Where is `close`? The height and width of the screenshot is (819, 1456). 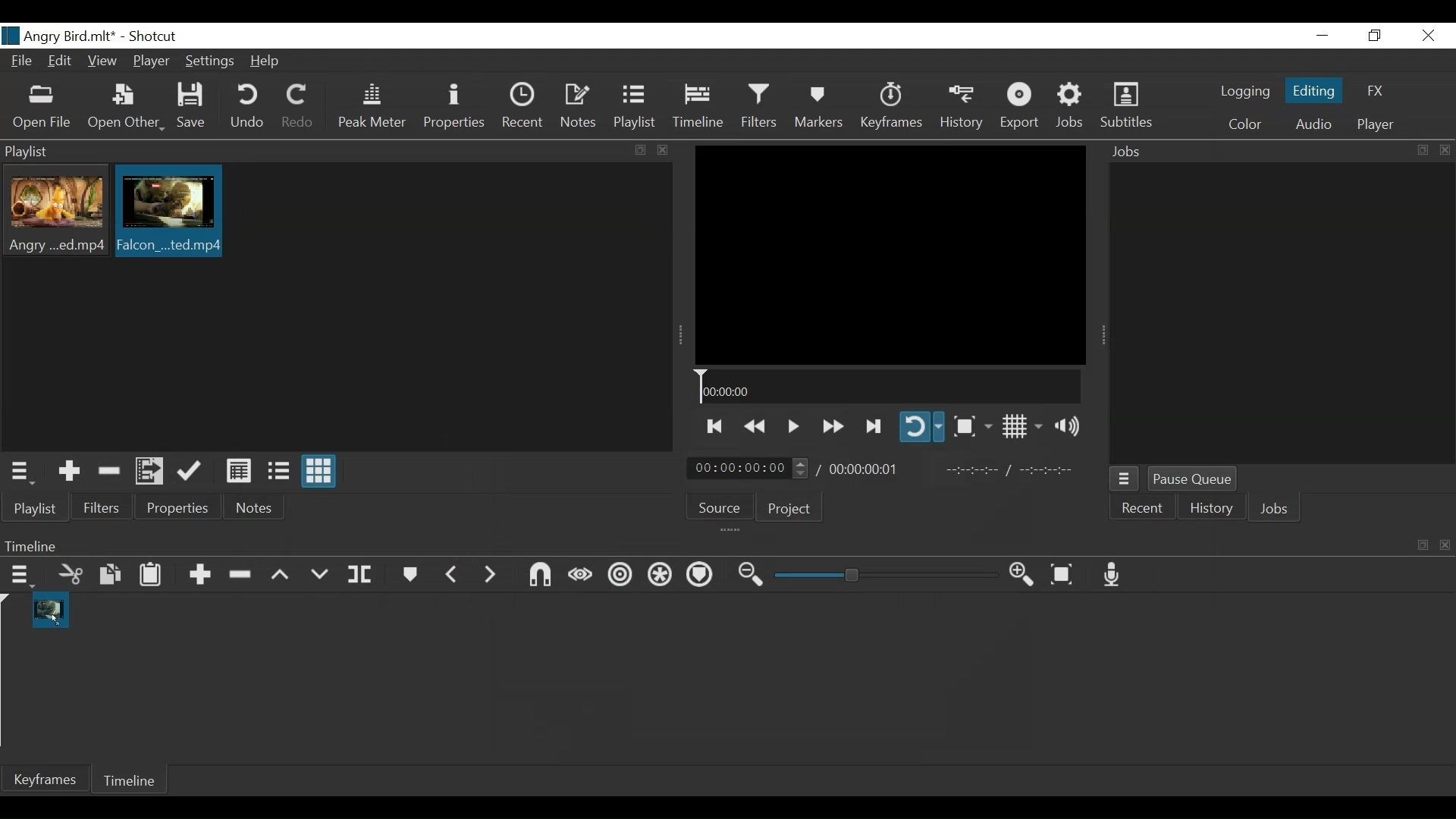
close is located at coordinates (1447, 545).